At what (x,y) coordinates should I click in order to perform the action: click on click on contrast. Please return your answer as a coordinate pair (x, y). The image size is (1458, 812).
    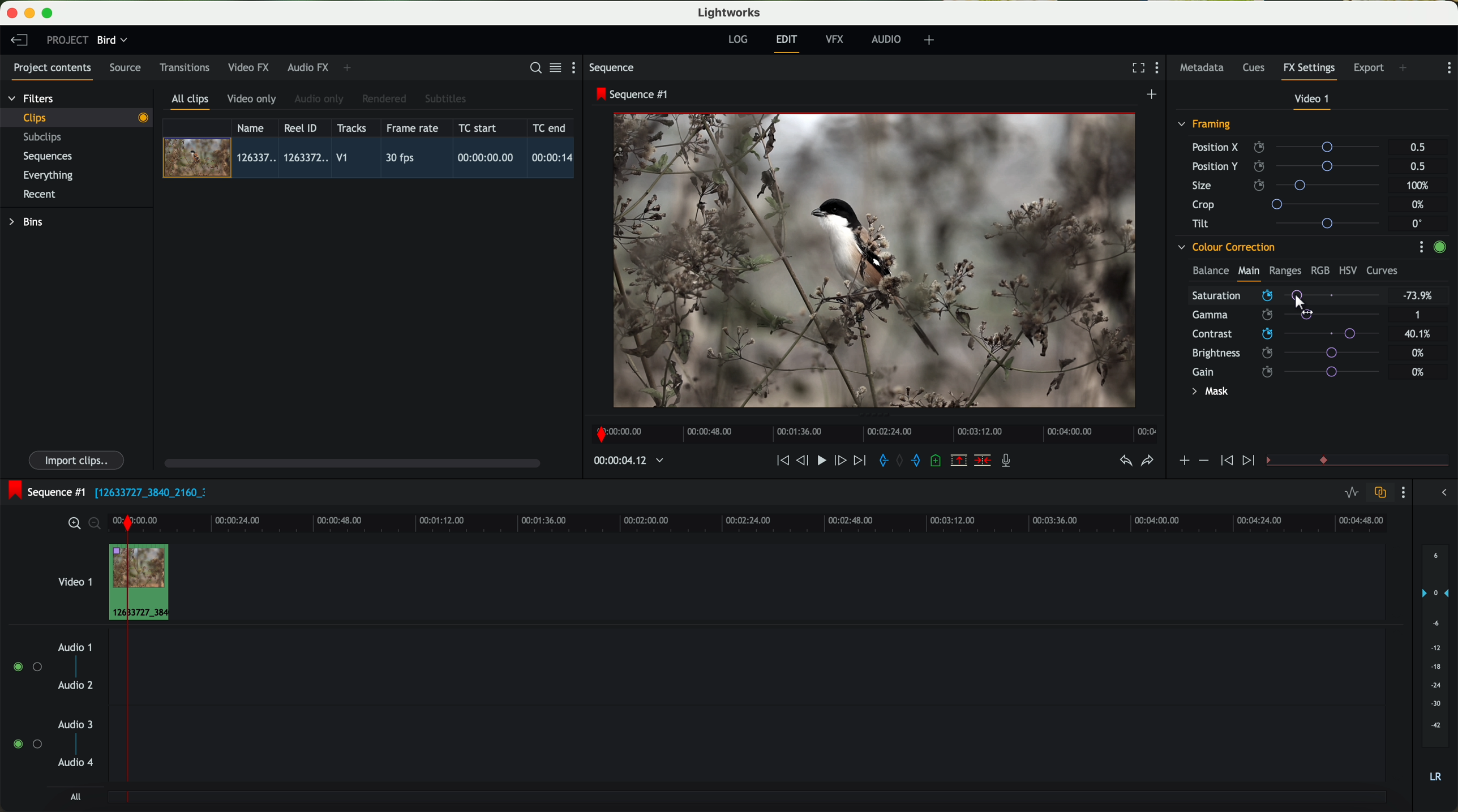
    Looking at the image, I should click on (1286, 335).